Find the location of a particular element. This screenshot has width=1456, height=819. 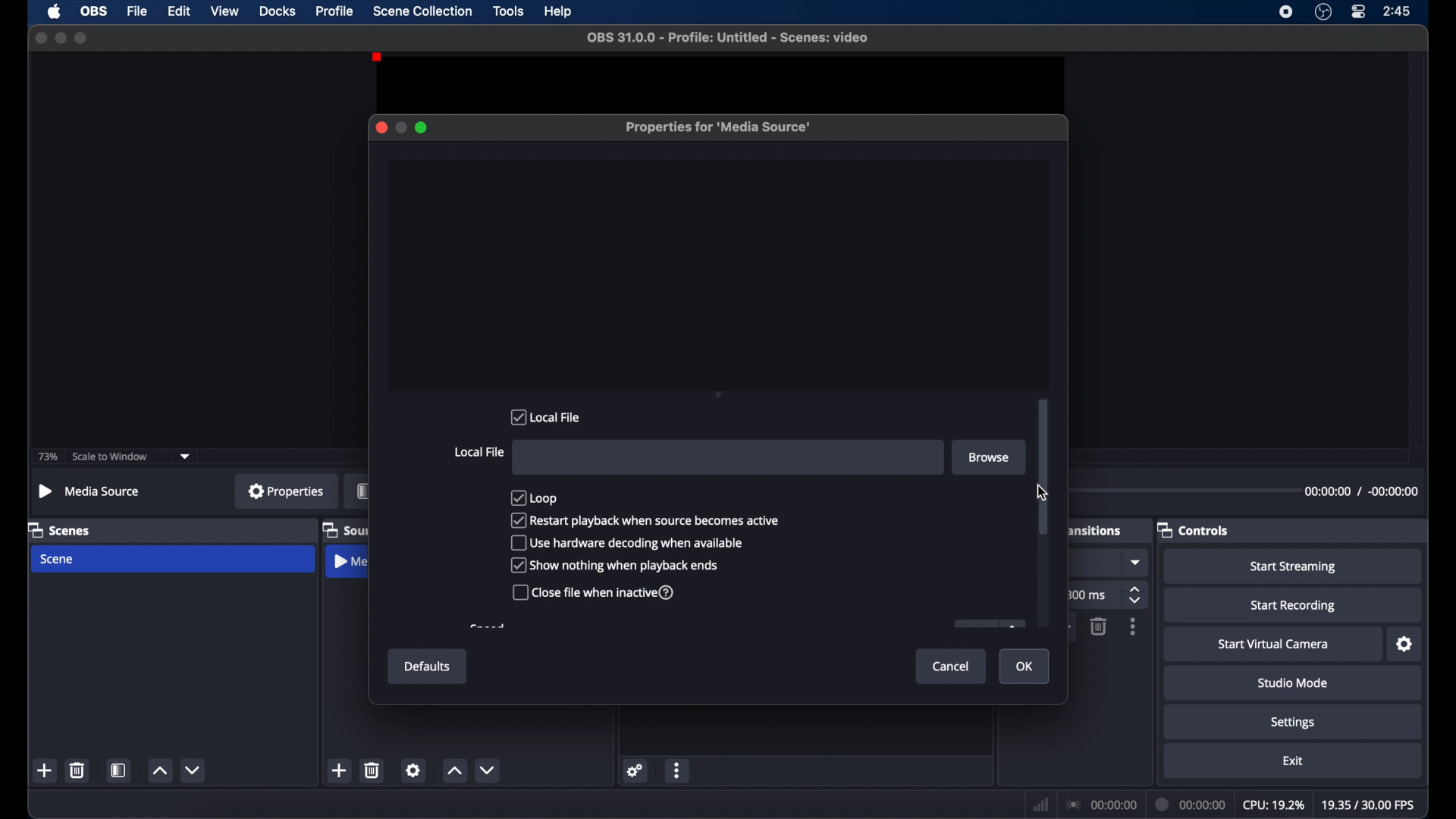

studio mode is located at coordinates (1293, 682).